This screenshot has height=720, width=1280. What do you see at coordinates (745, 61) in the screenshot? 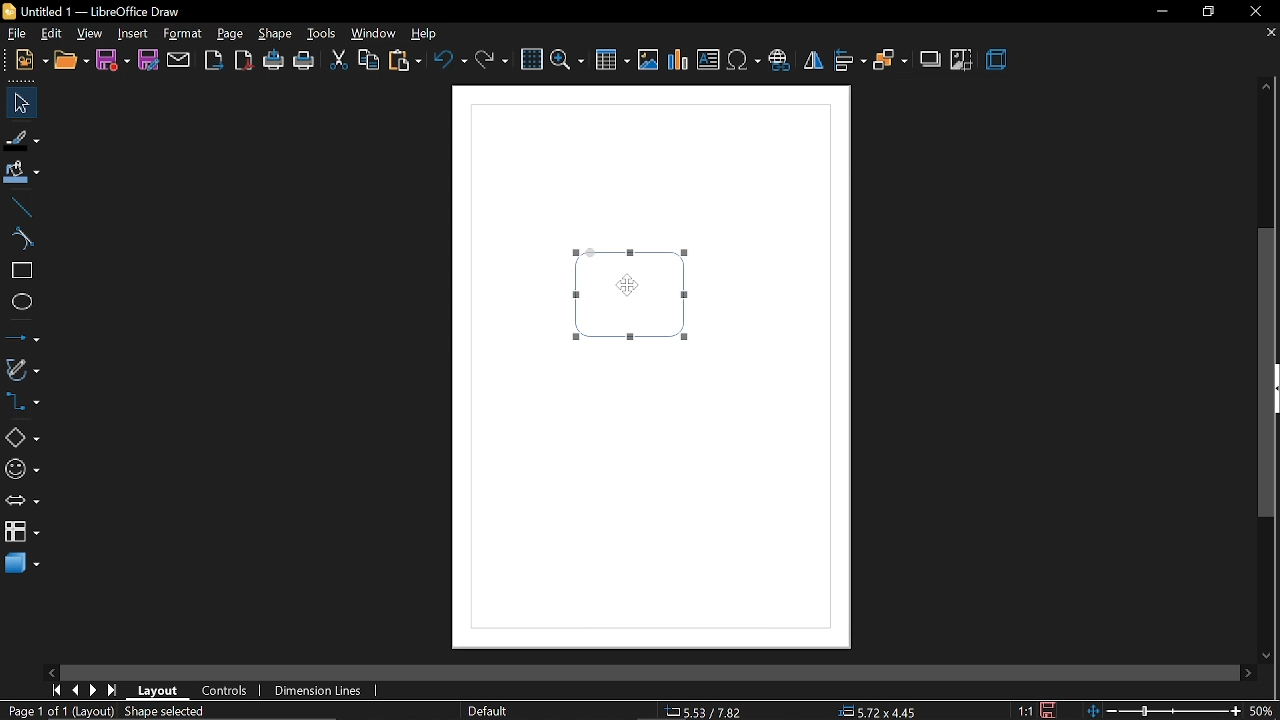
I see `insert symbol` at bounding box center [745, 61].